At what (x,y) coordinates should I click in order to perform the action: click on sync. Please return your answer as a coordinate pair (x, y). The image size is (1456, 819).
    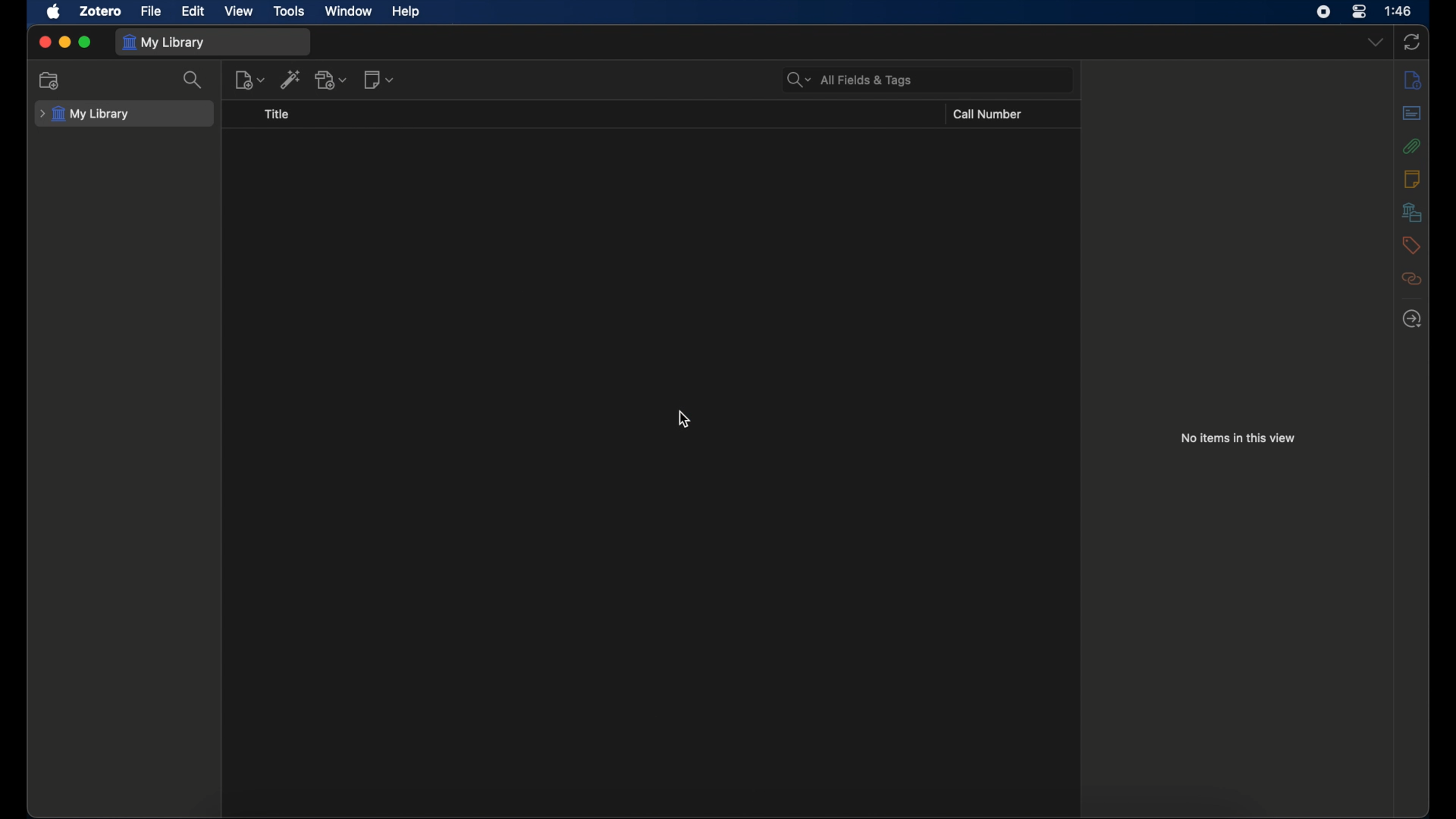
    Looking at the image, I should click on (1411, 42).